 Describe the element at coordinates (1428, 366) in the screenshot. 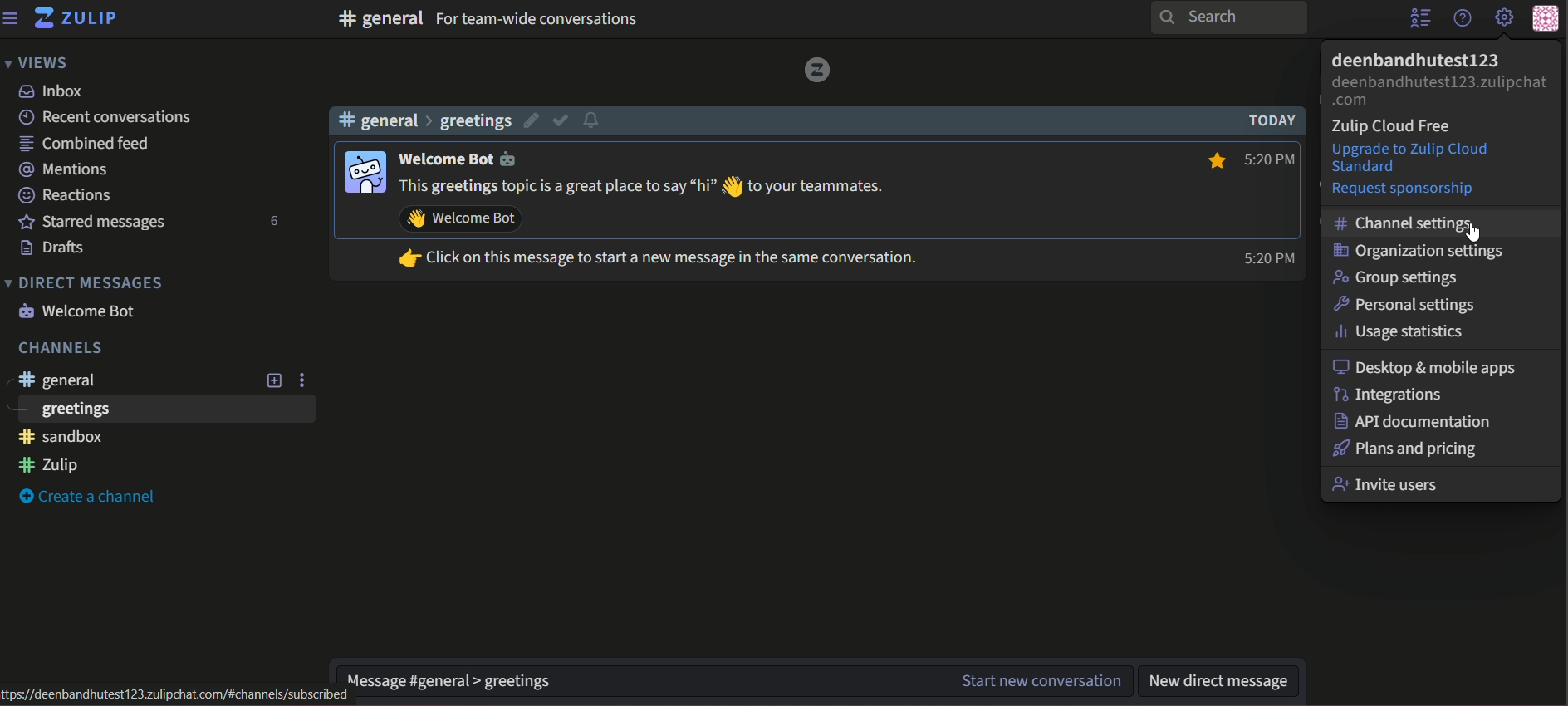

I see `desktop and mobile apps` at that location.